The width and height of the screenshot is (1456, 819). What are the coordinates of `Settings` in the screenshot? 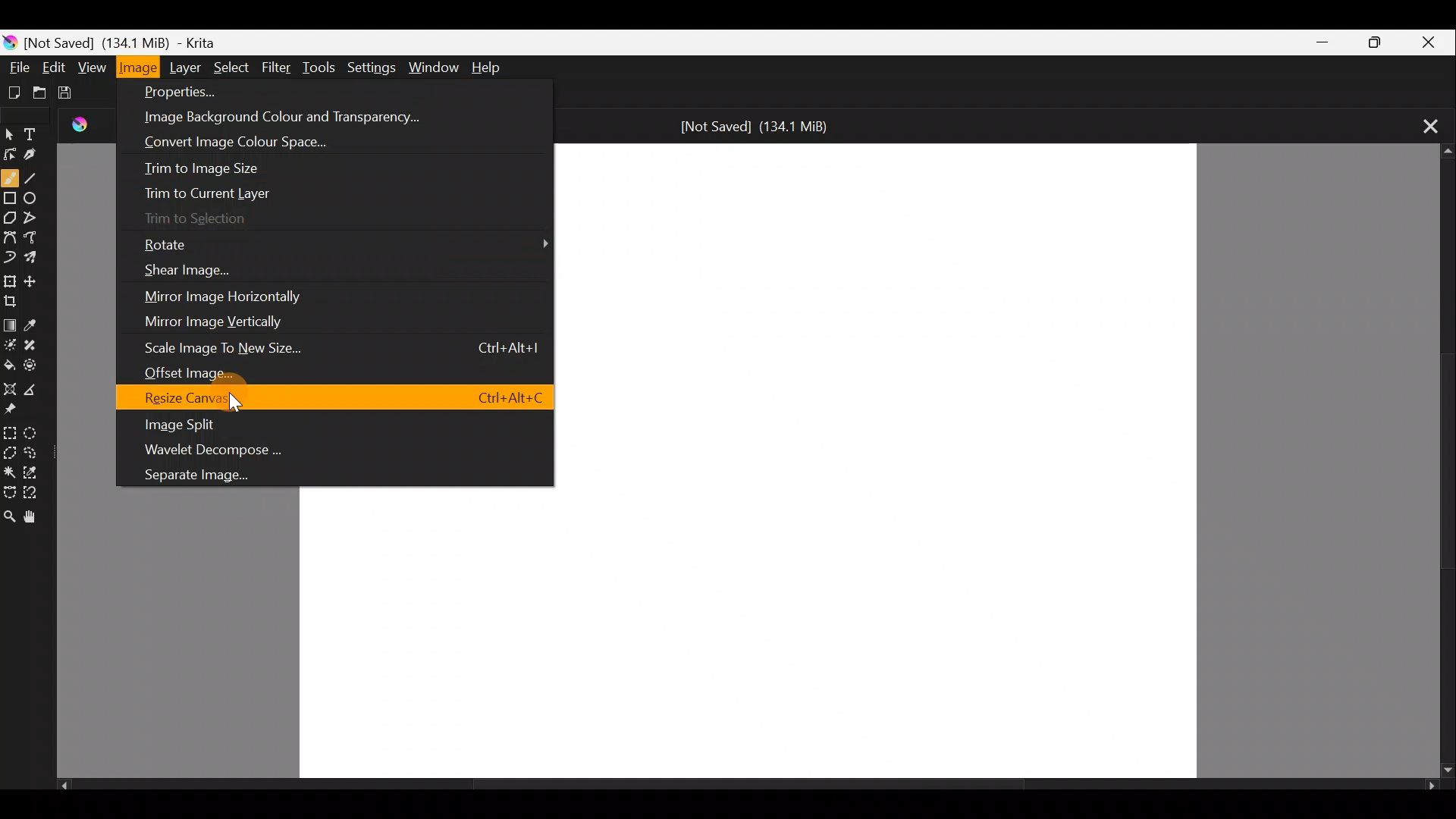 It's located at (369, 63).